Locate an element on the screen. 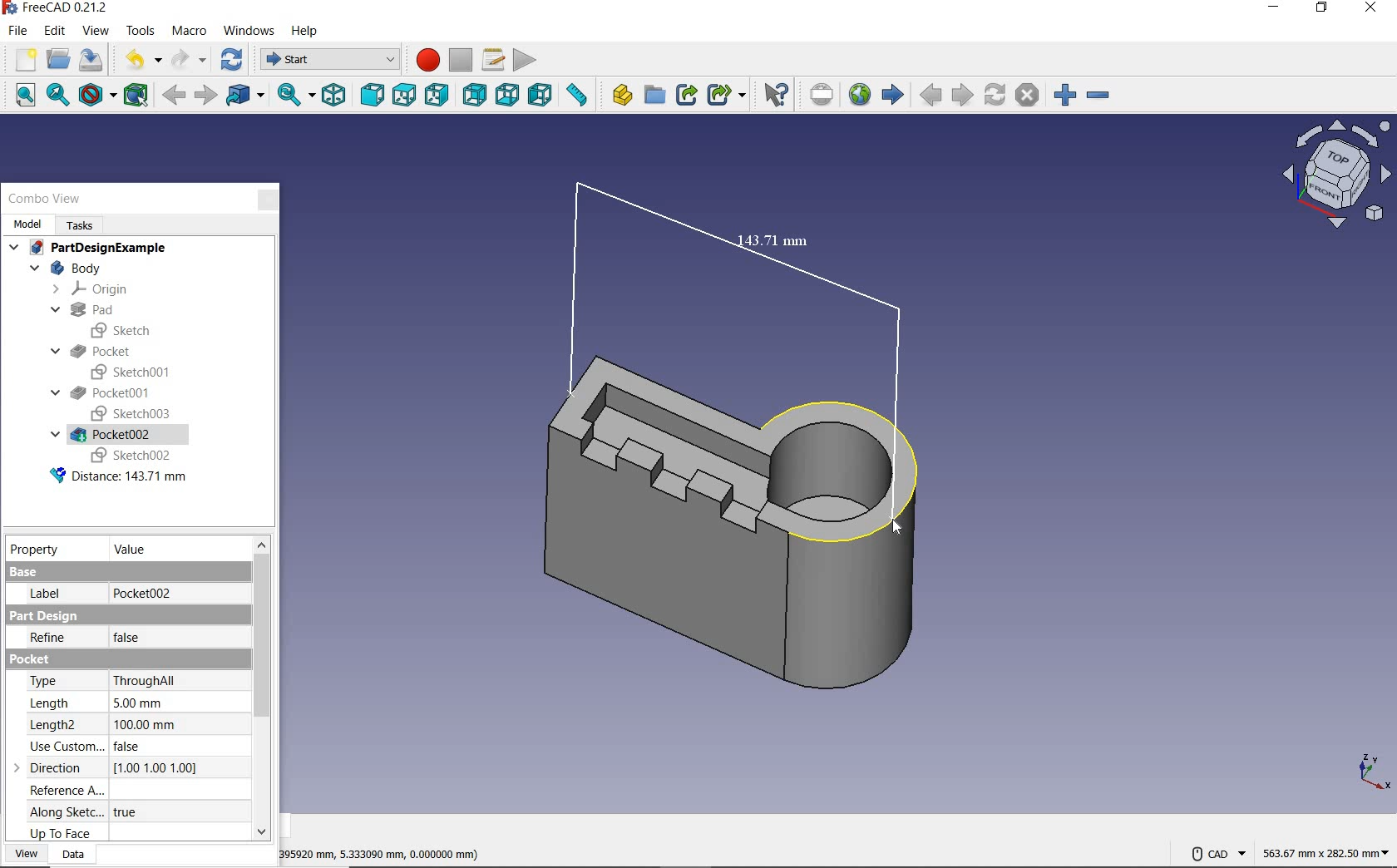  BODY is located at coordinates (64, 269).